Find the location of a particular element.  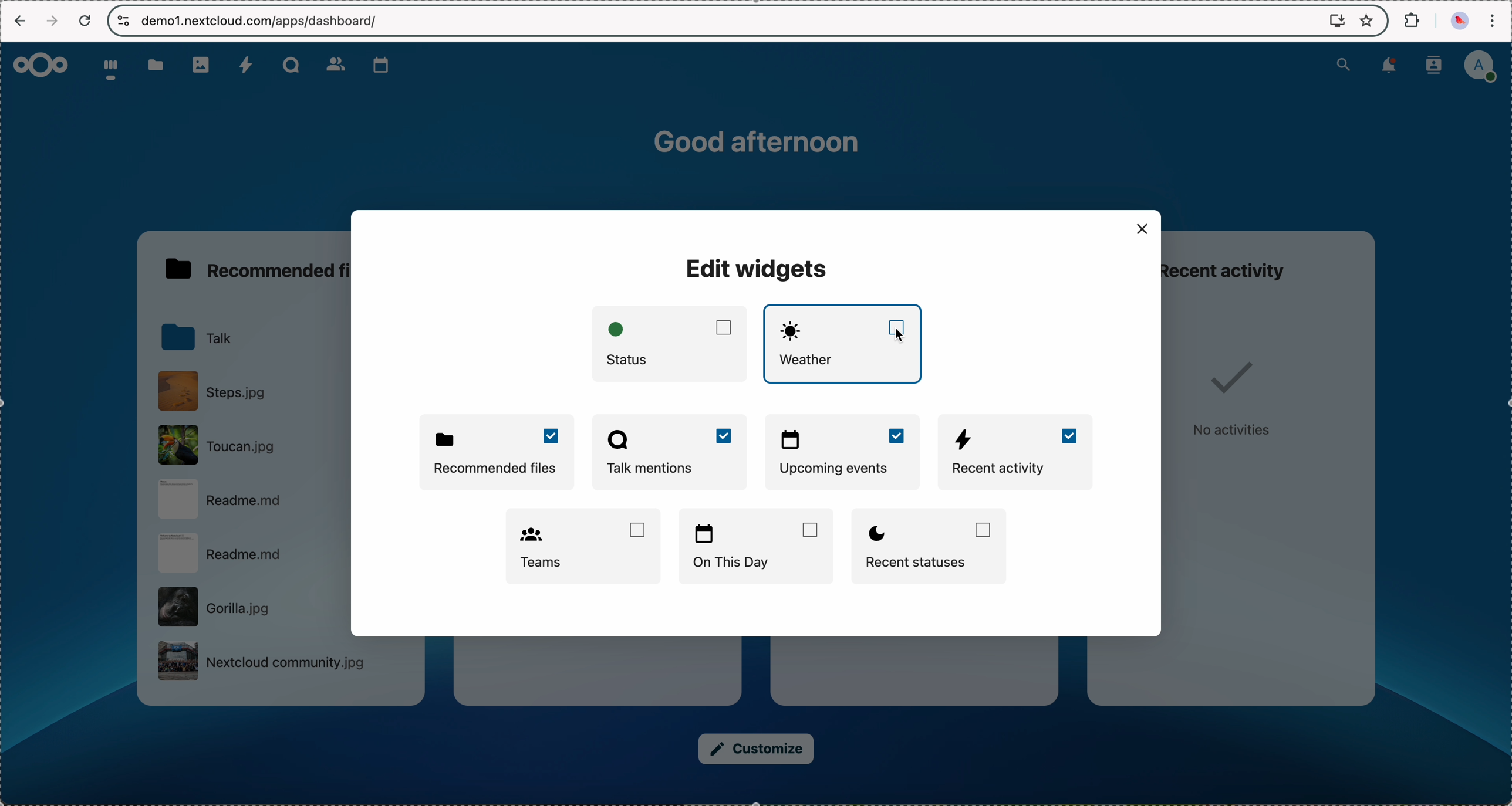

click on weather is located at coordinates (845, 344).